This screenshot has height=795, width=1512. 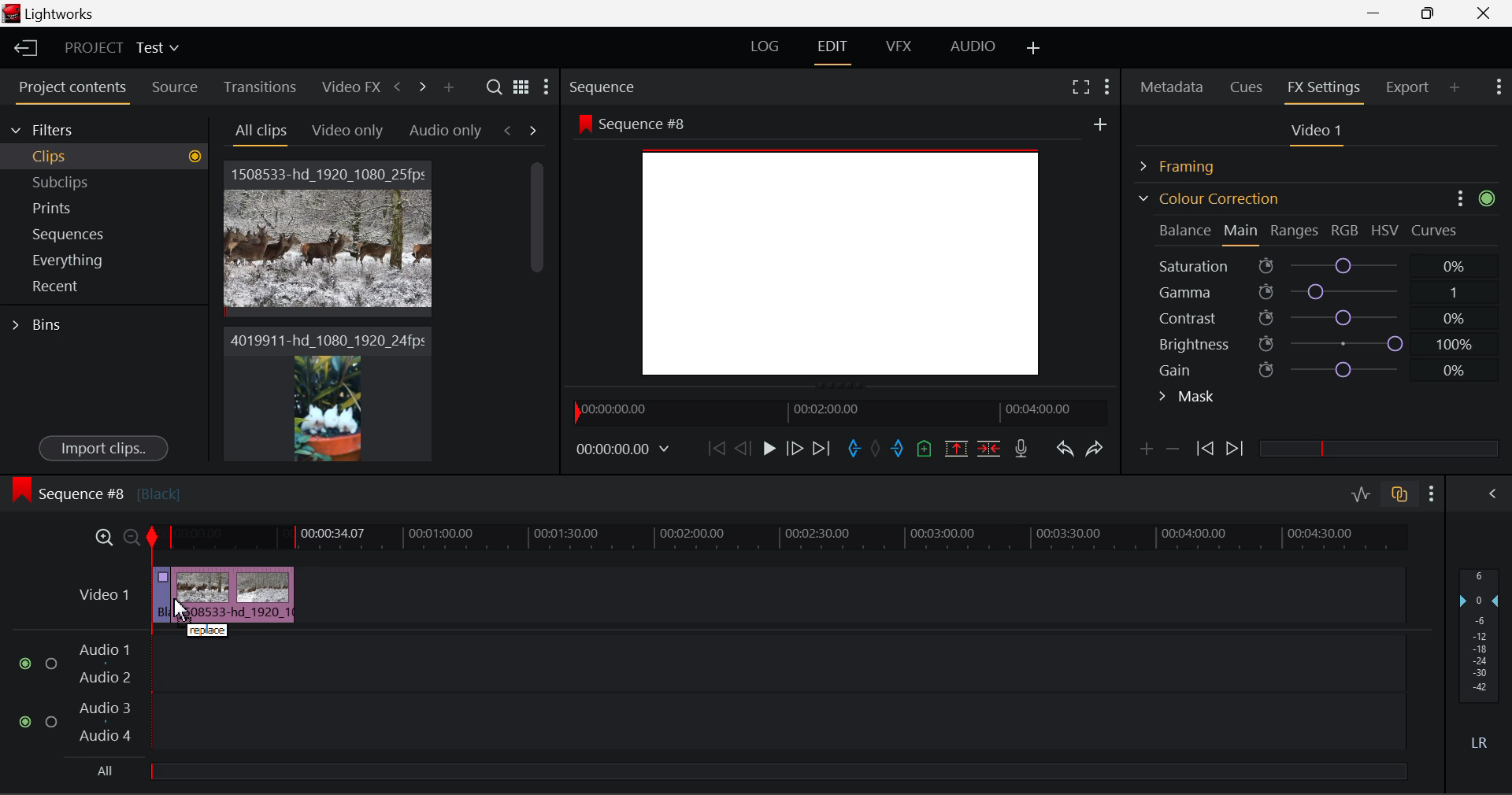 I want to click on Background changed, so click(x=839, y=250).